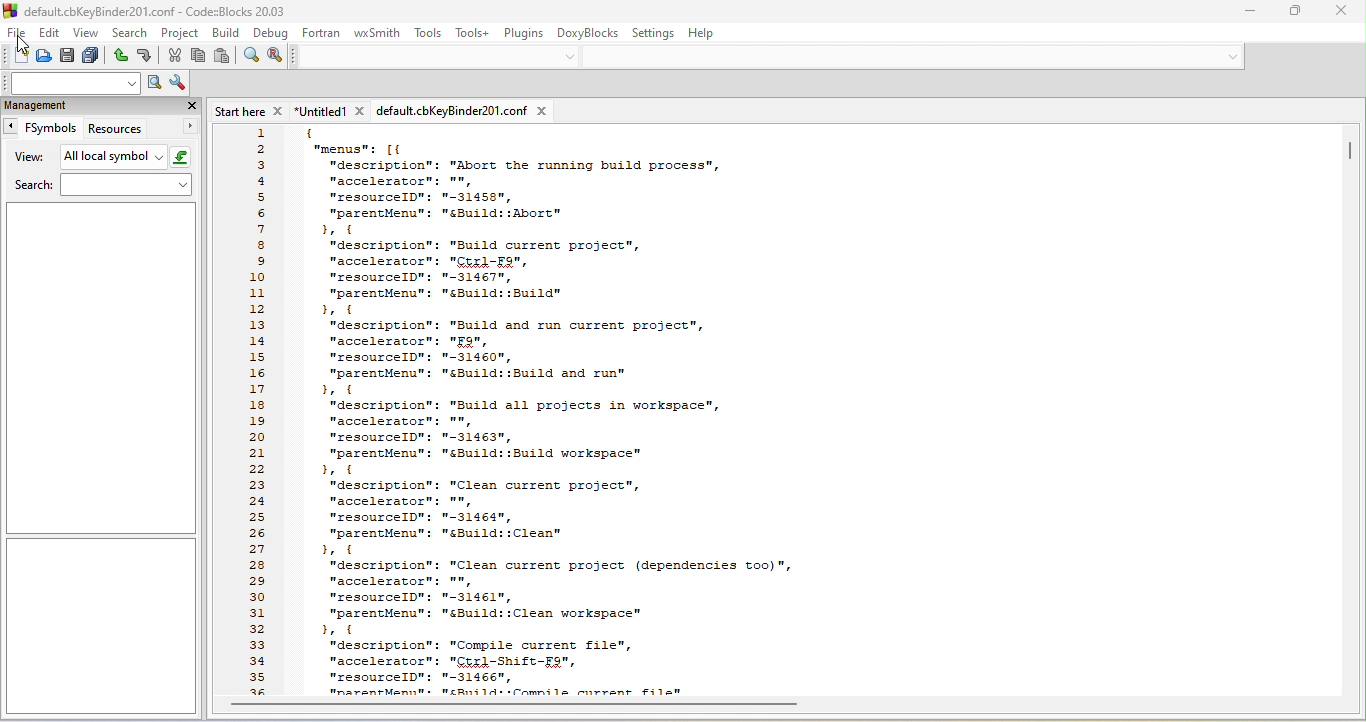 Image resolution: width=1366 pixels, height=722 pixels. Describe the element at coordinates (161, 11) in the screenshot. I see `default.cbKeyBinder201.conf - CodezBlocks 20.03` at that location.